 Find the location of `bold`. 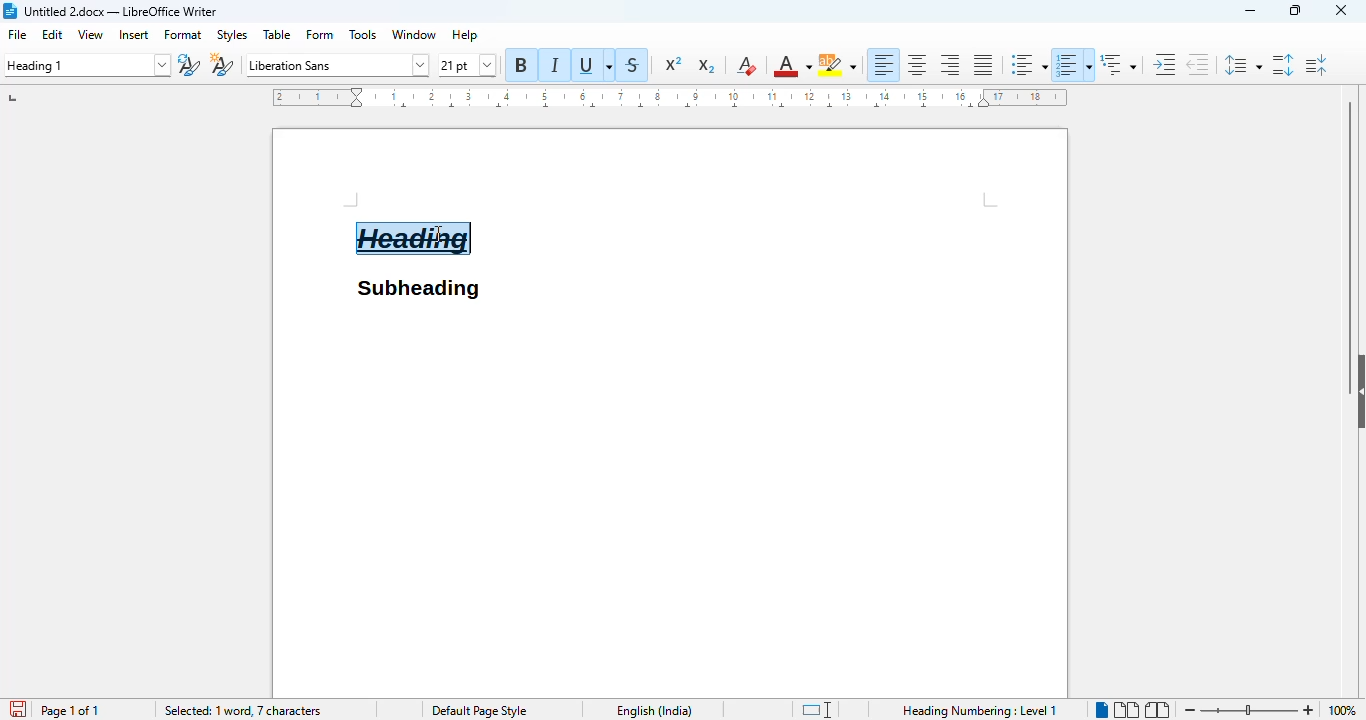

bold is located at coordinates (522, 64).